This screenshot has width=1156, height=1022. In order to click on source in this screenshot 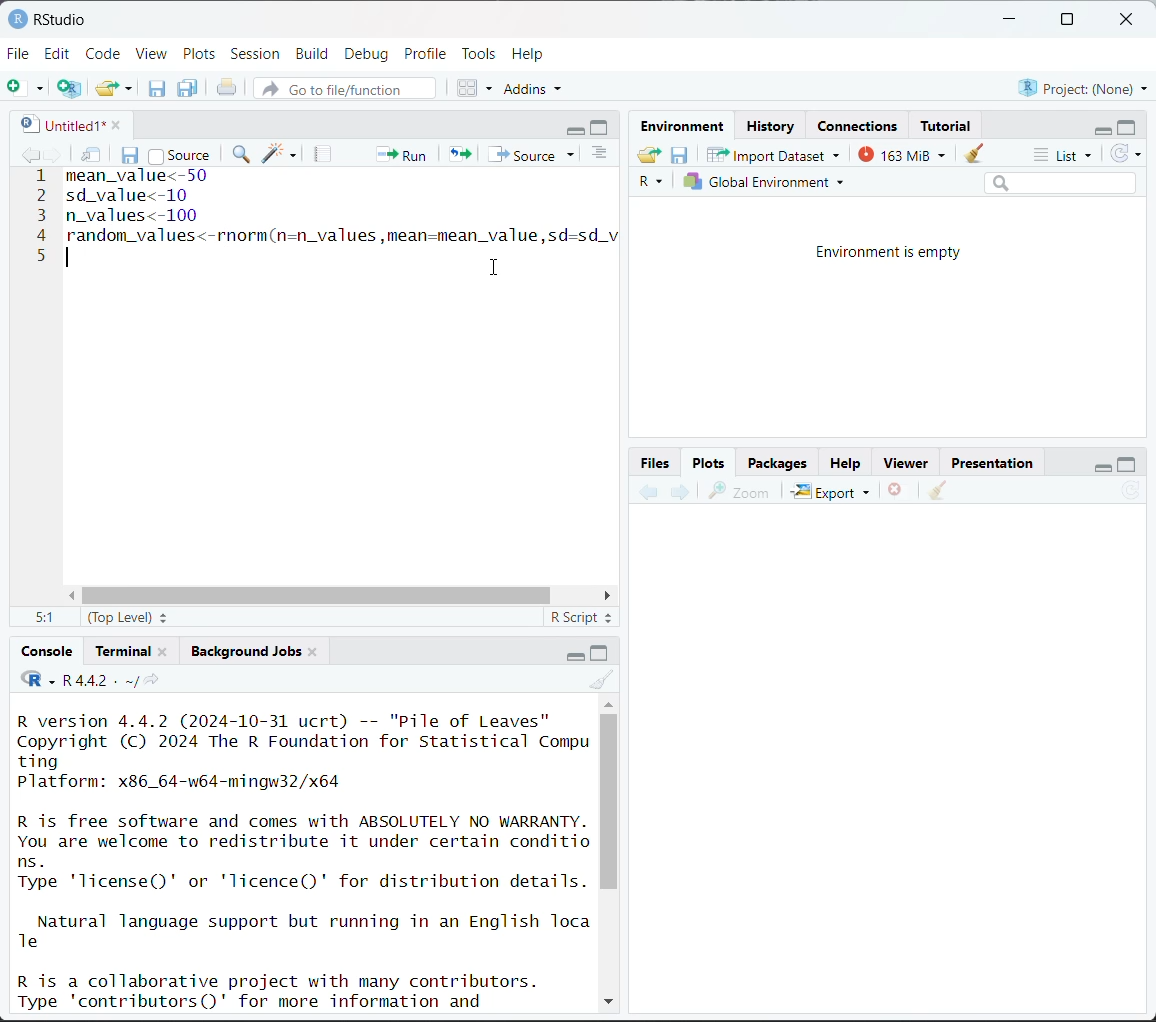, I will do `click(179, 154)`.